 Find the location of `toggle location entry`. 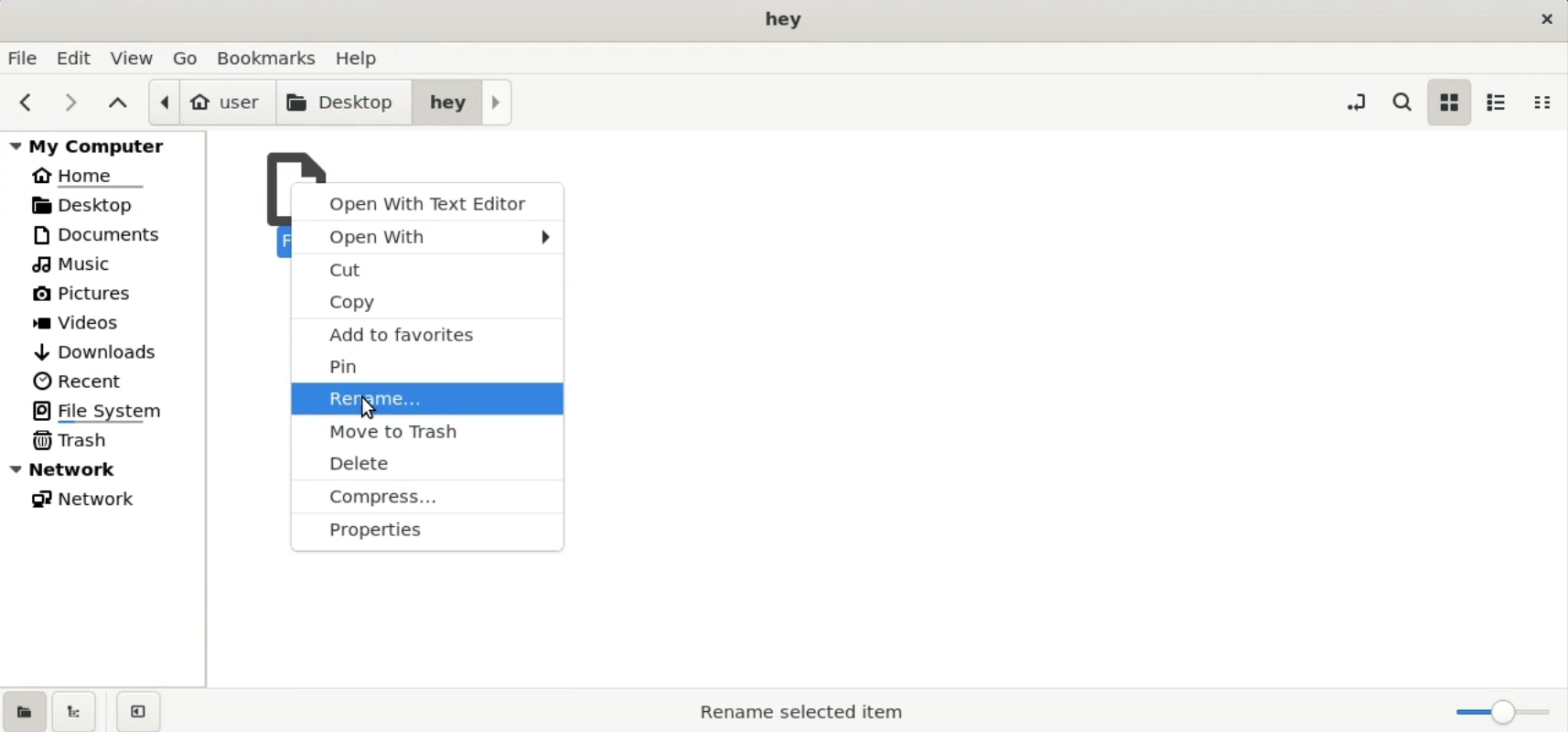

toggle location entry is located at coordinates (1356, 101).